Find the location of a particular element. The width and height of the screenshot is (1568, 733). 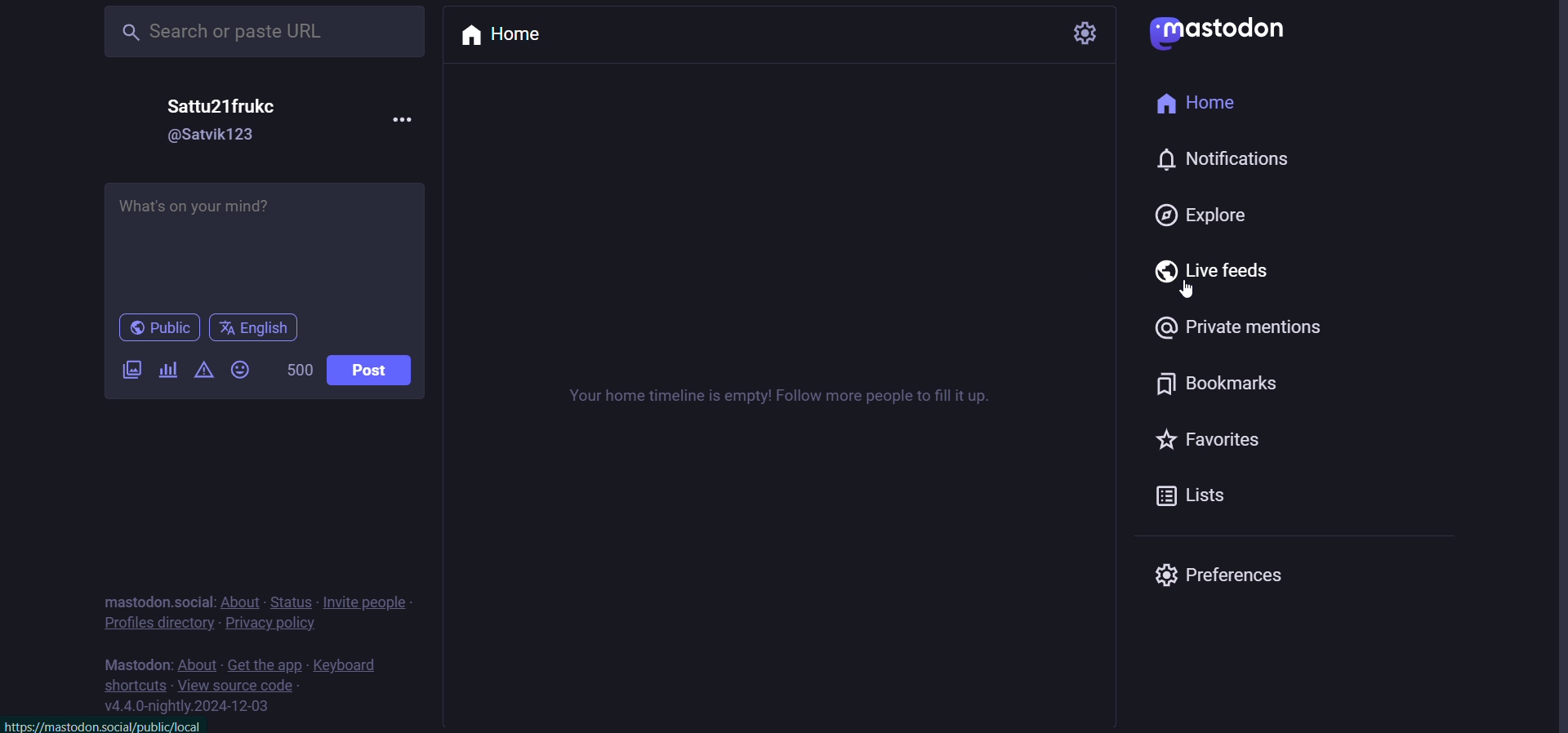

about is located at coordinates (198, 665).